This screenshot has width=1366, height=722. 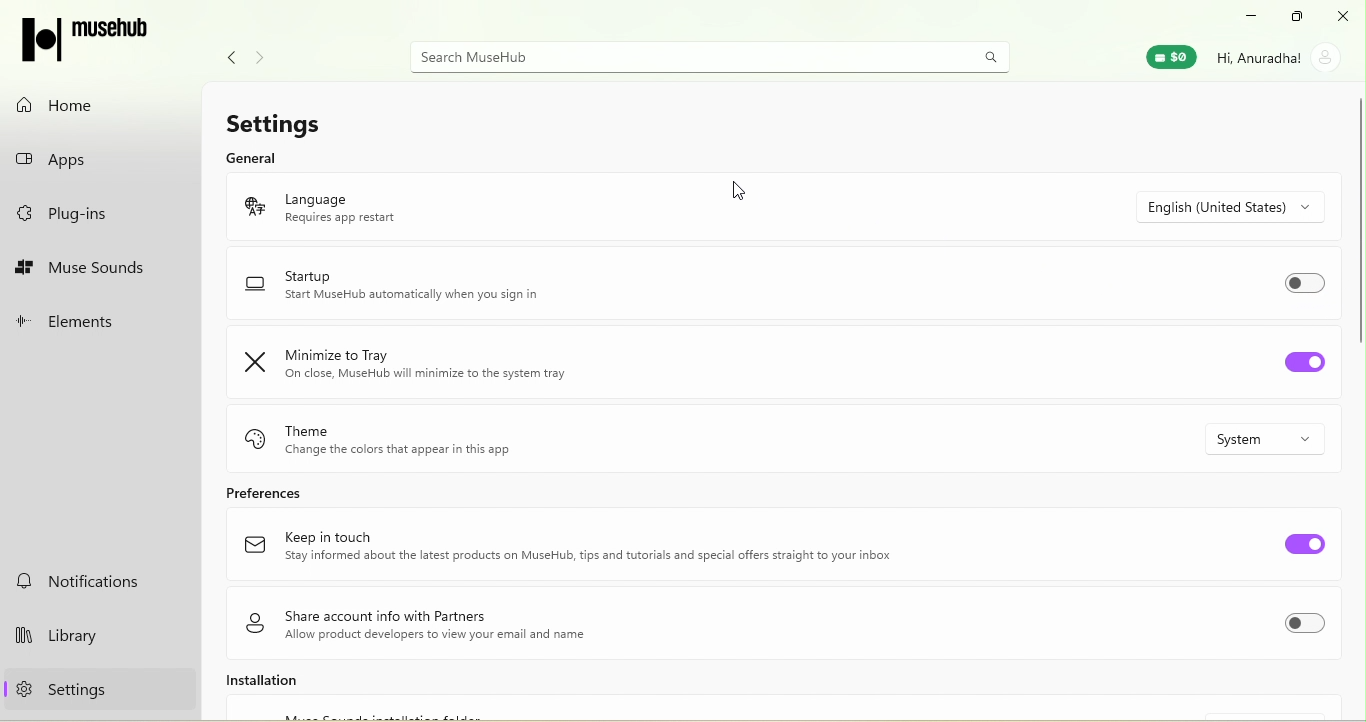 What do you see at coordinates (94, 218) in the screenshot?
I see `plug-ins` at bounding box center [94, 218].